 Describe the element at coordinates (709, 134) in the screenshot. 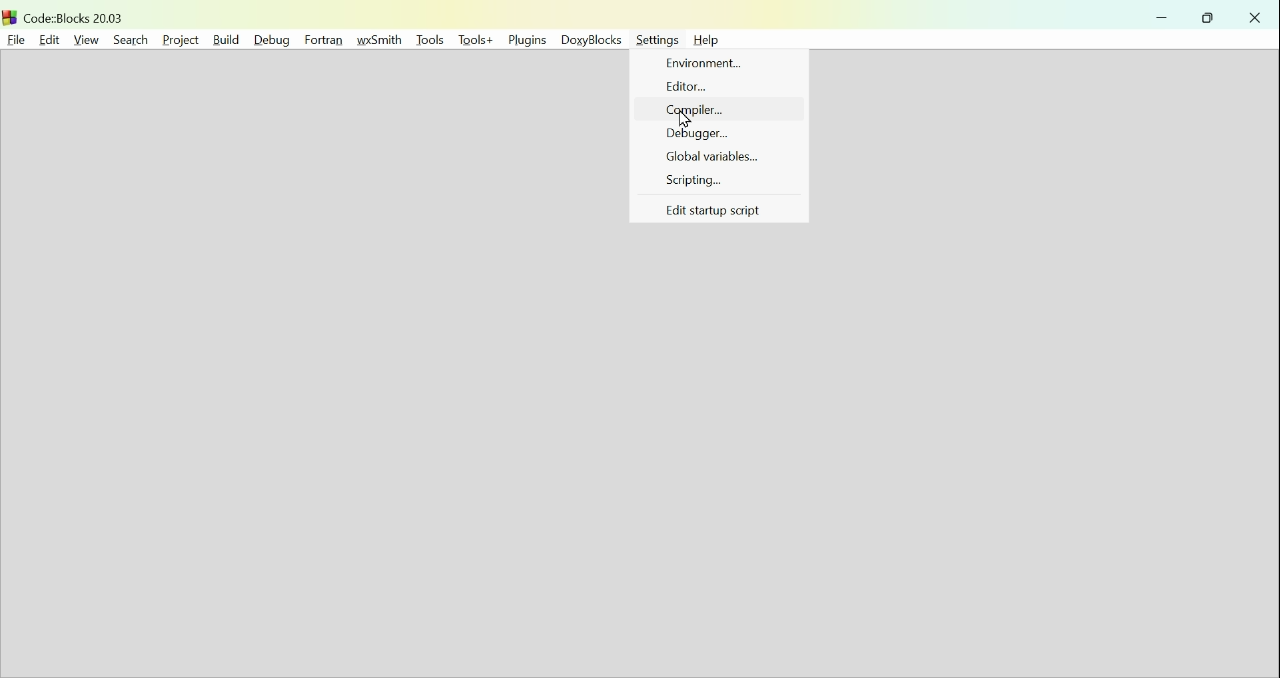

I see `Debugger` at that location.